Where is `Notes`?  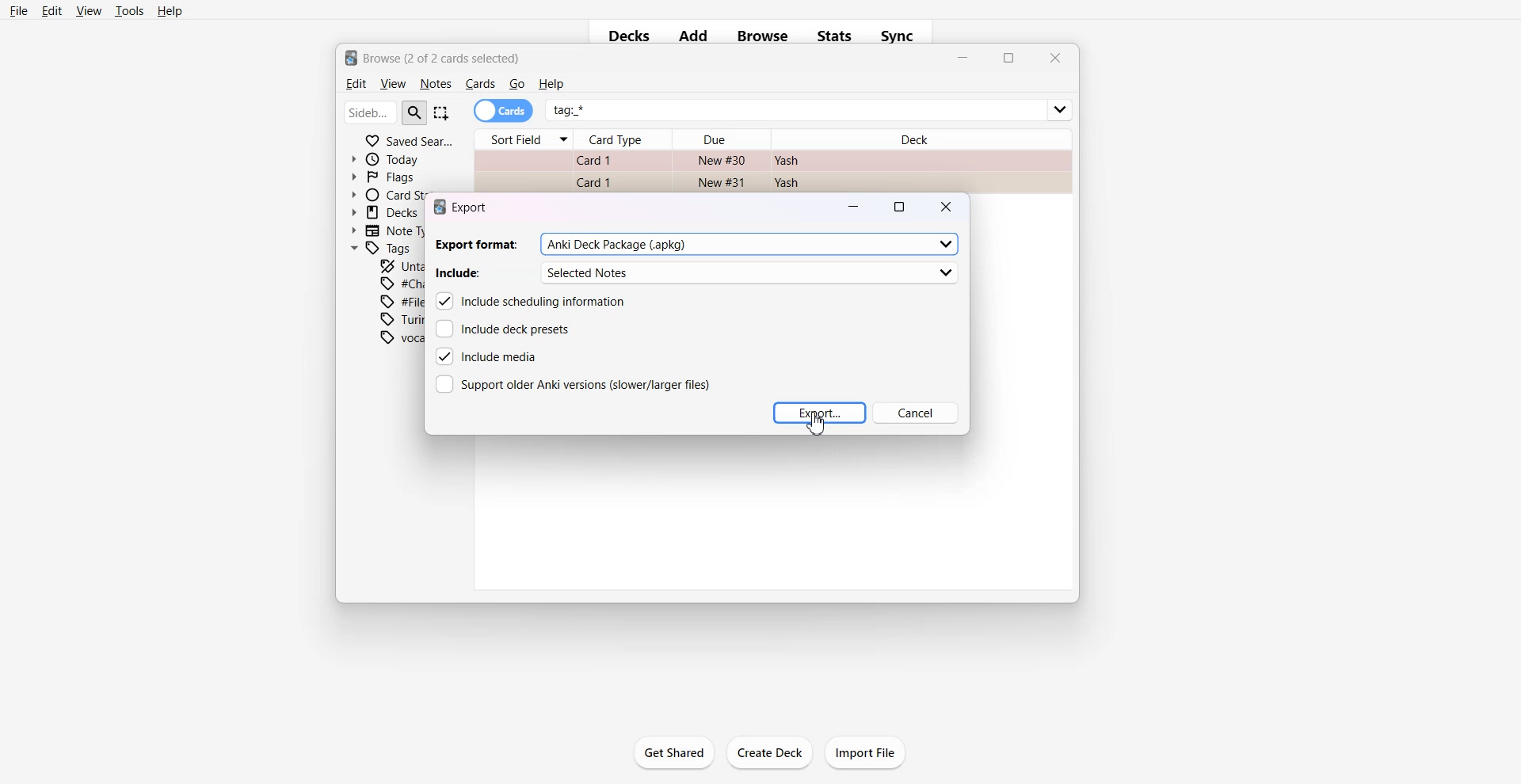 Notes is located at coordinates (435, 84).